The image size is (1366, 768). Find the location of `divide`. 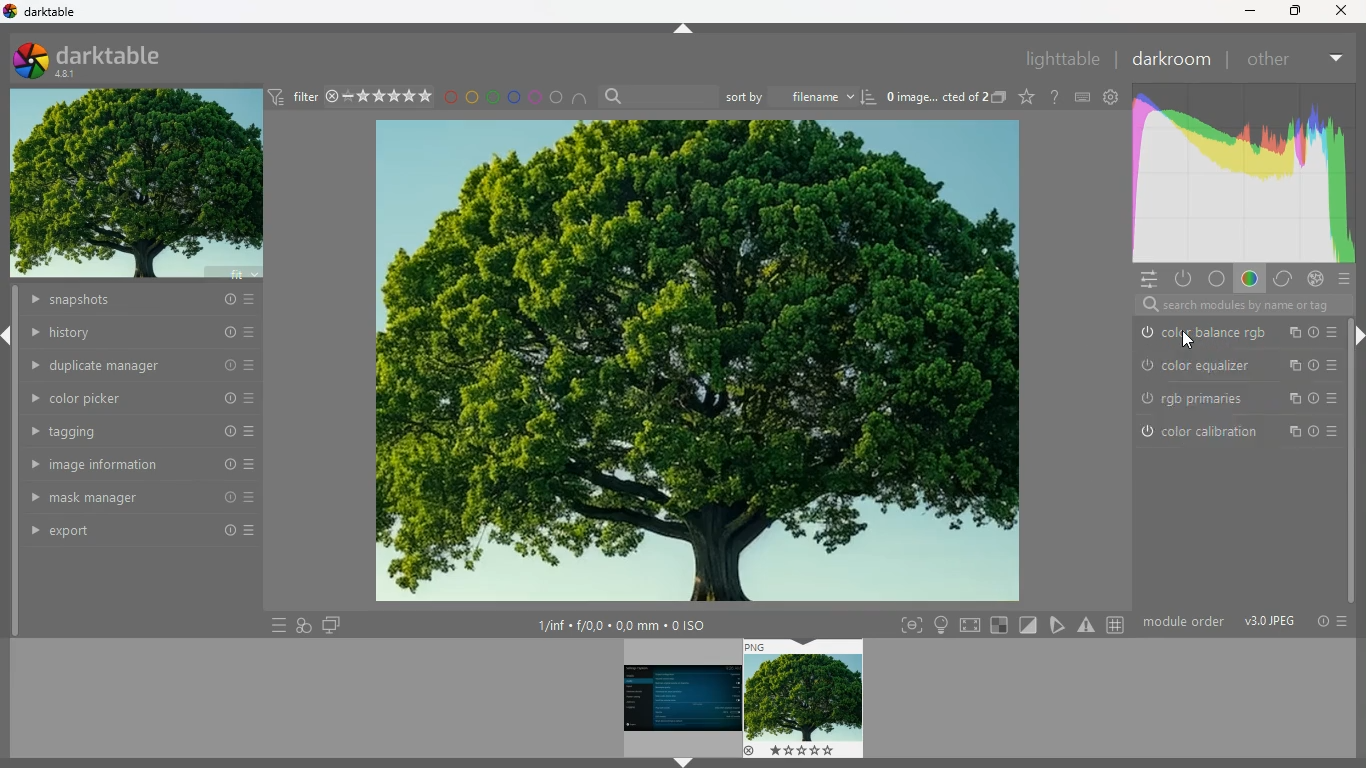

divide is located at coordinates (1030, 624).